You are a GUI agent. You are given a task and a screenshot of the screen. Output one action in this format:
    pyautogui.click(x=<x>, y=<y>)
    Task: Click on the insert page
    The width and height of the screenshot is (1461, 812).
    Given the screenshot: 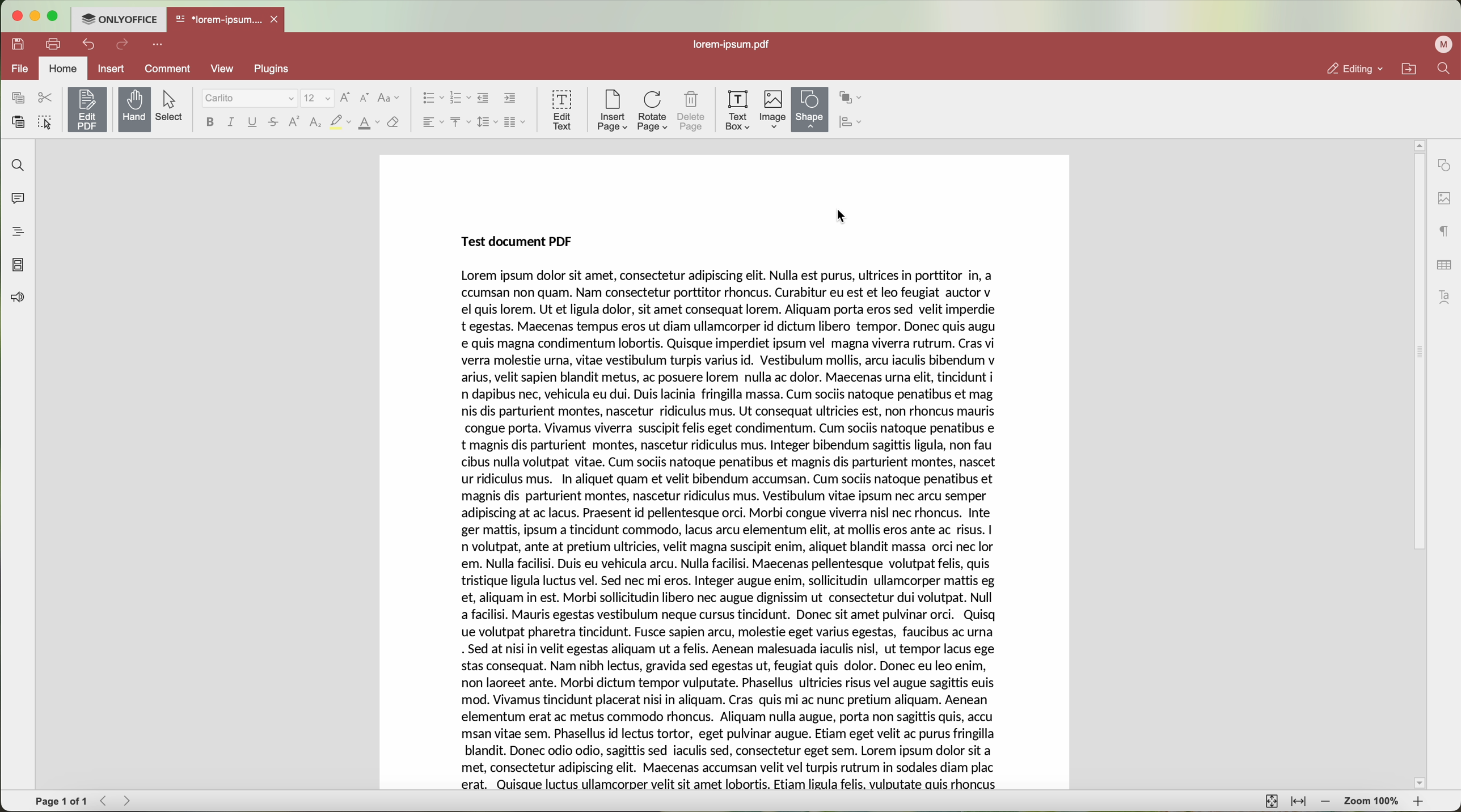 What is the action you would take?
    pyautogui.click(x=610, y=111)
    